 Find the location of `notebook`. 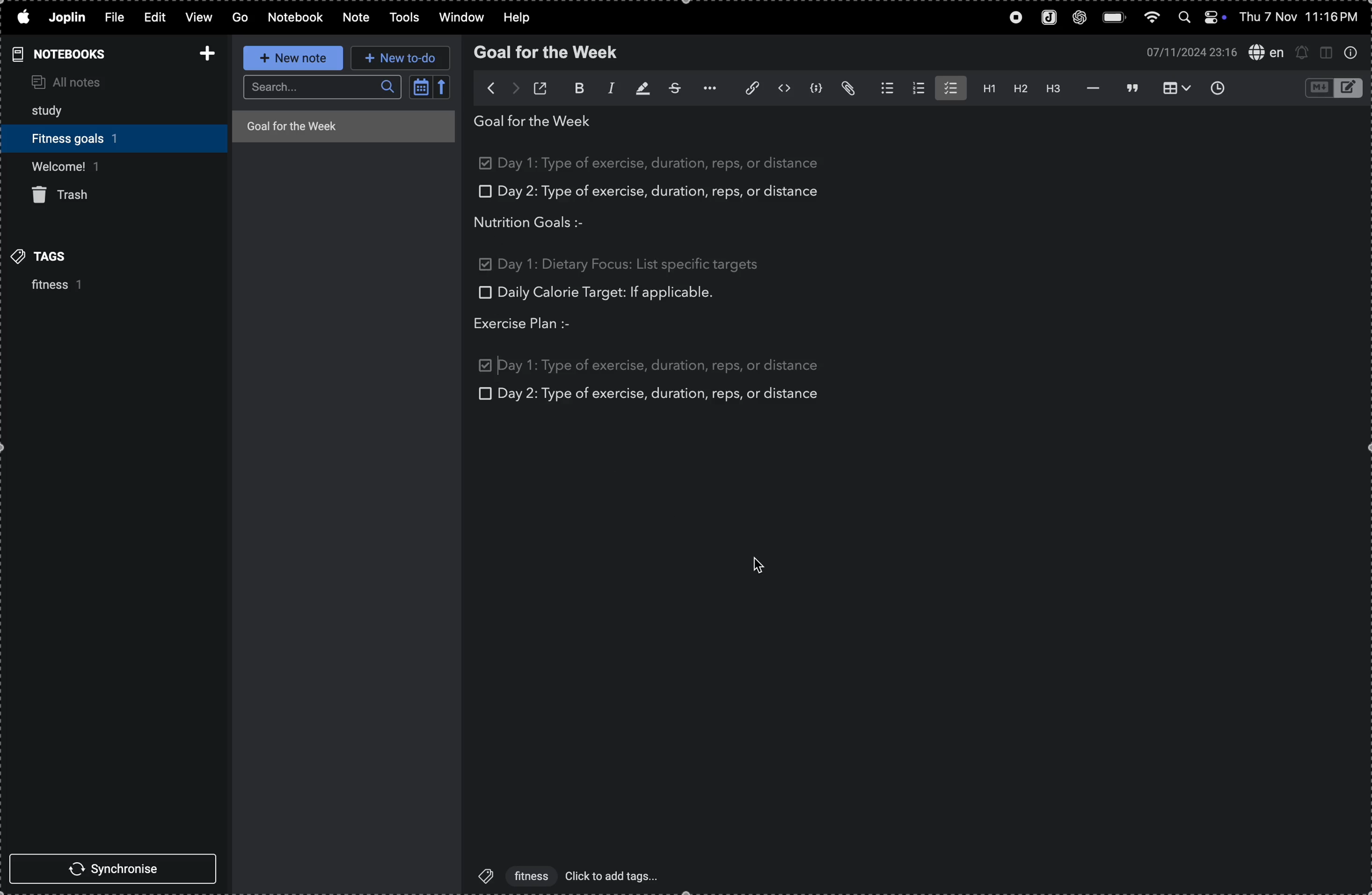

notebook is located at coordinates (296, 17).